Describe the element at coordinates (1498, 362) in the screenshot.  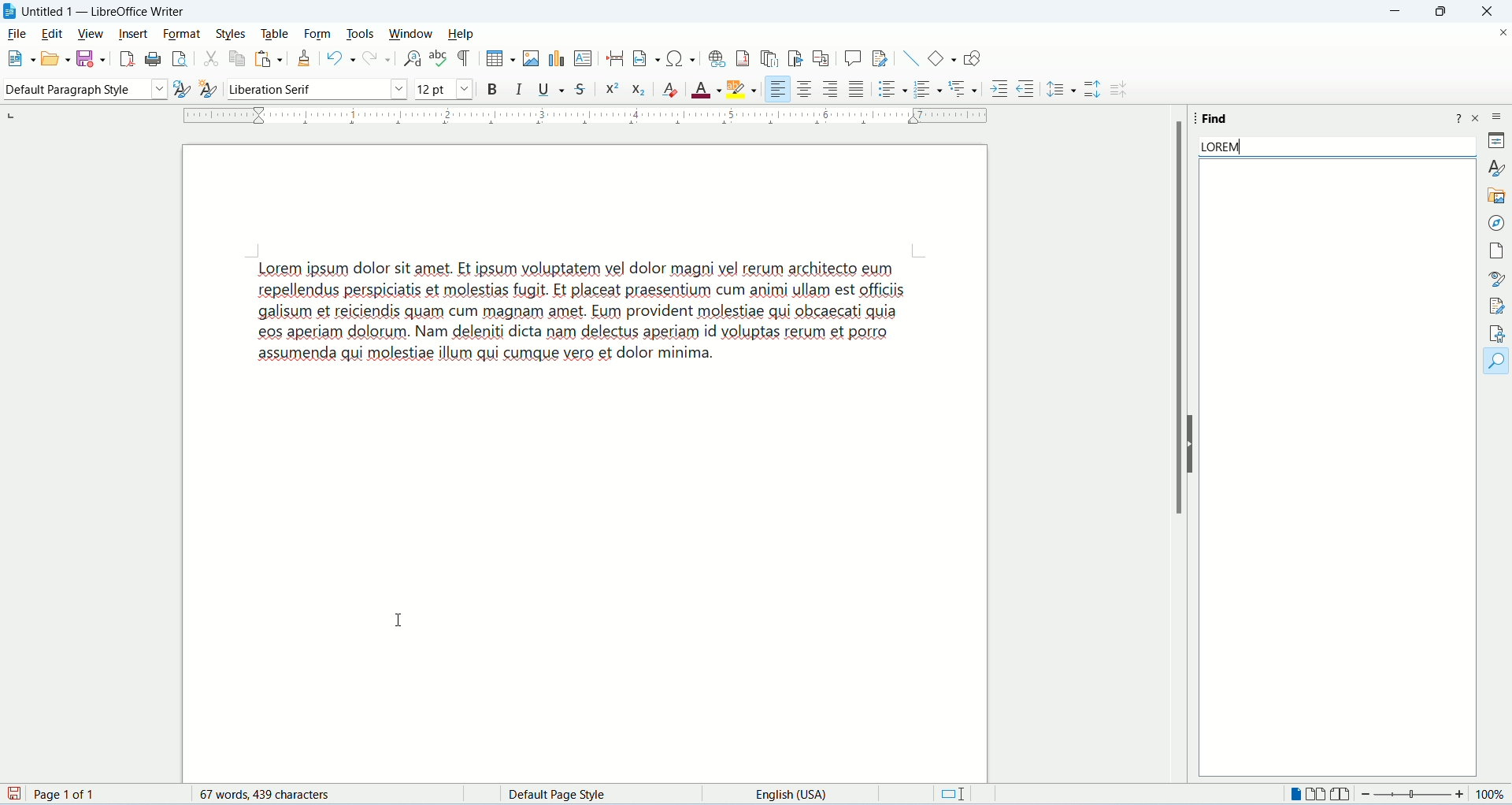
I see `find` at that location.